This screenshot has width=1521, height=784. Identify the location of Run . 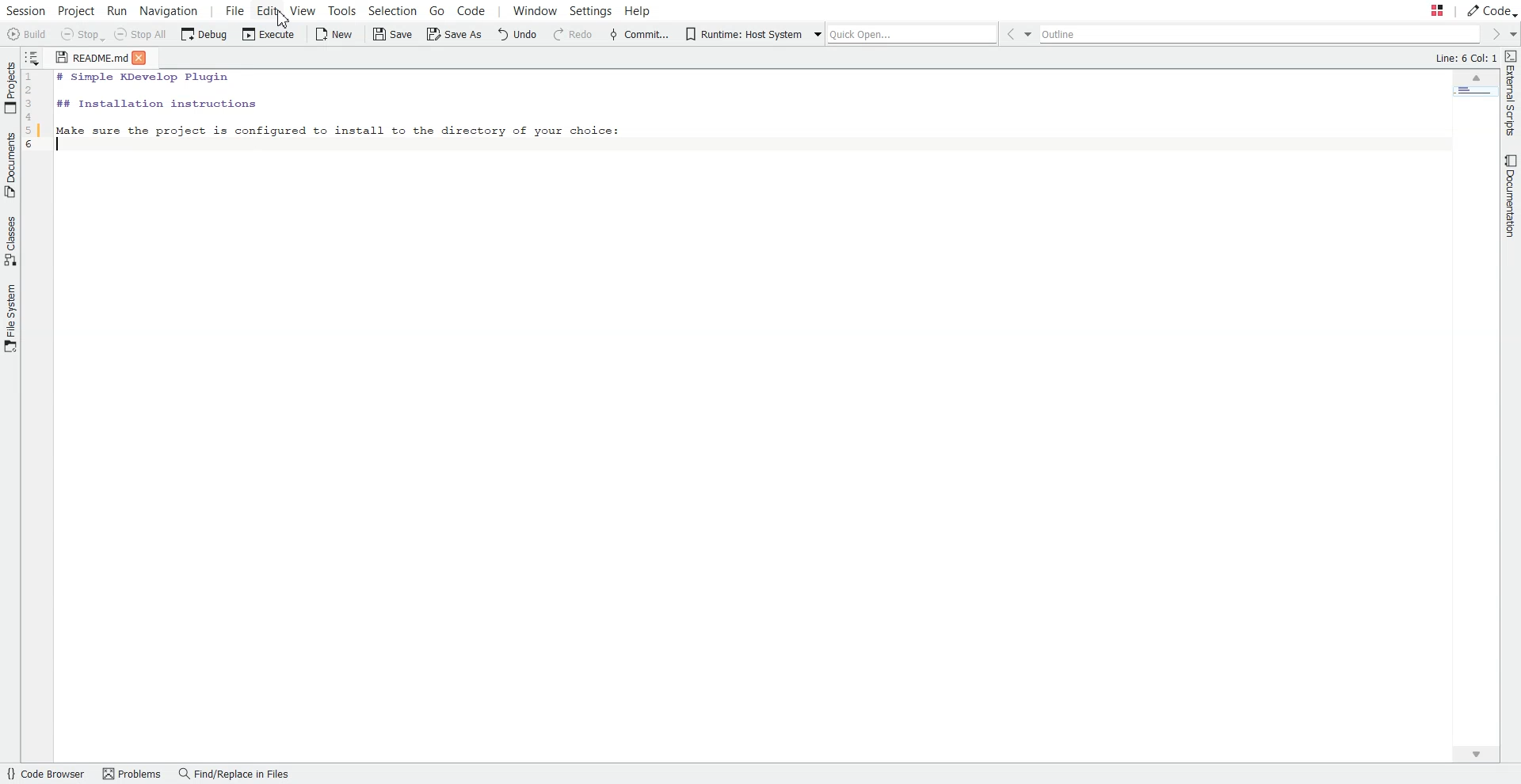
(120, 10).